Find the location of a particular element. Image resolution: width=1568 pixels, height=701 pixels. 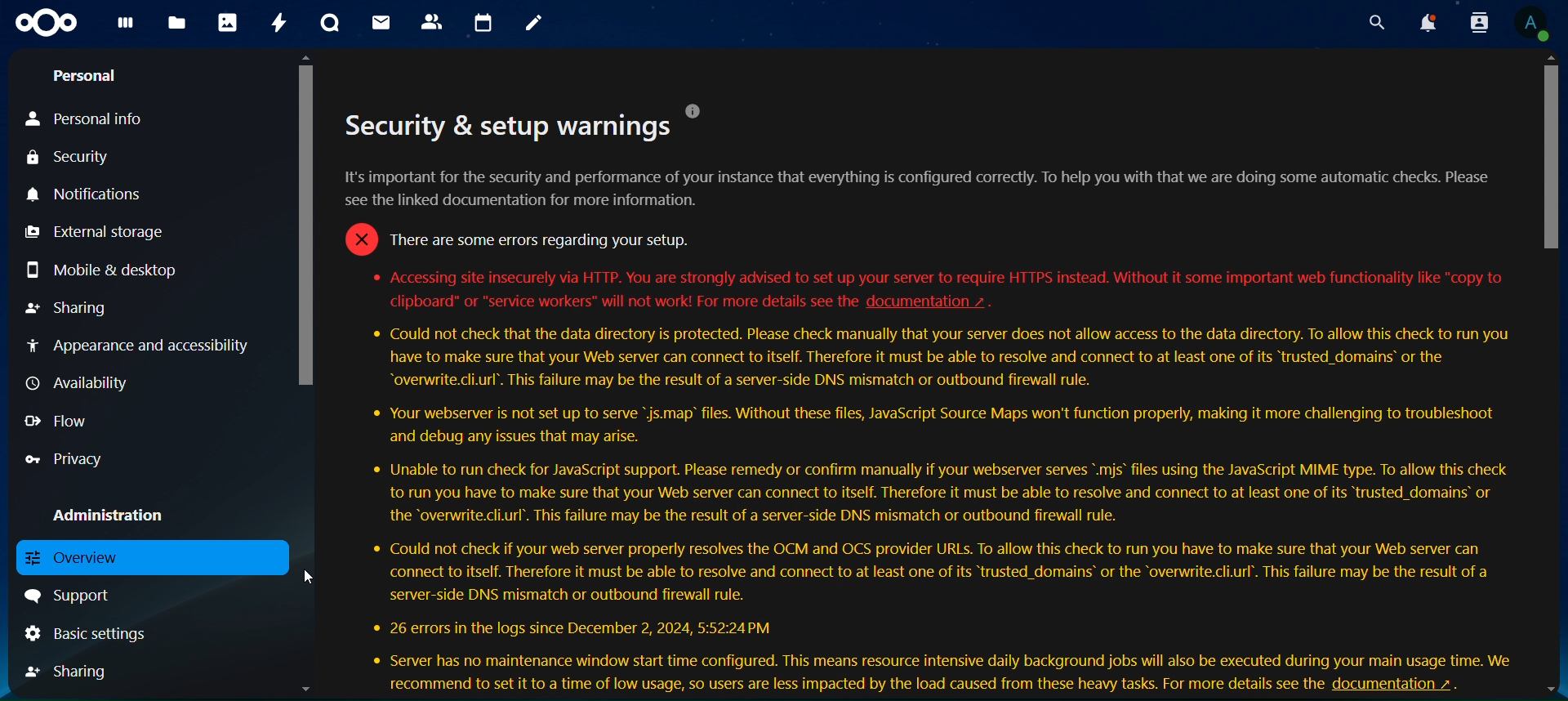

security is located at coordinates (82, 157).